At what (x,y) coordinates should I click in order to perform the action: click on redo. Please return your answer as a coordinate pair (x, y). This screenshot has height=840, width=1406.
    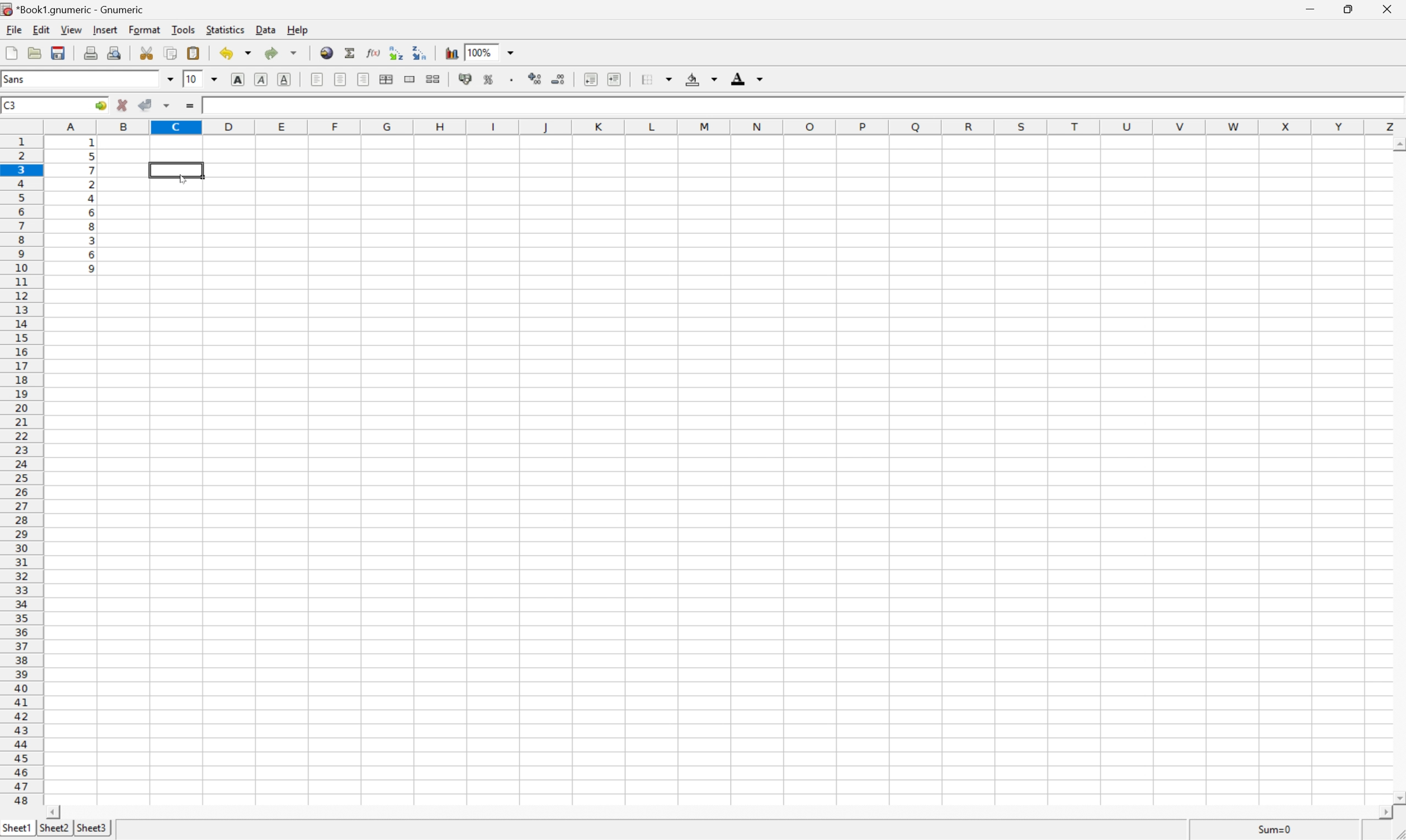
    Looking at the image, I should click on (282, 54).